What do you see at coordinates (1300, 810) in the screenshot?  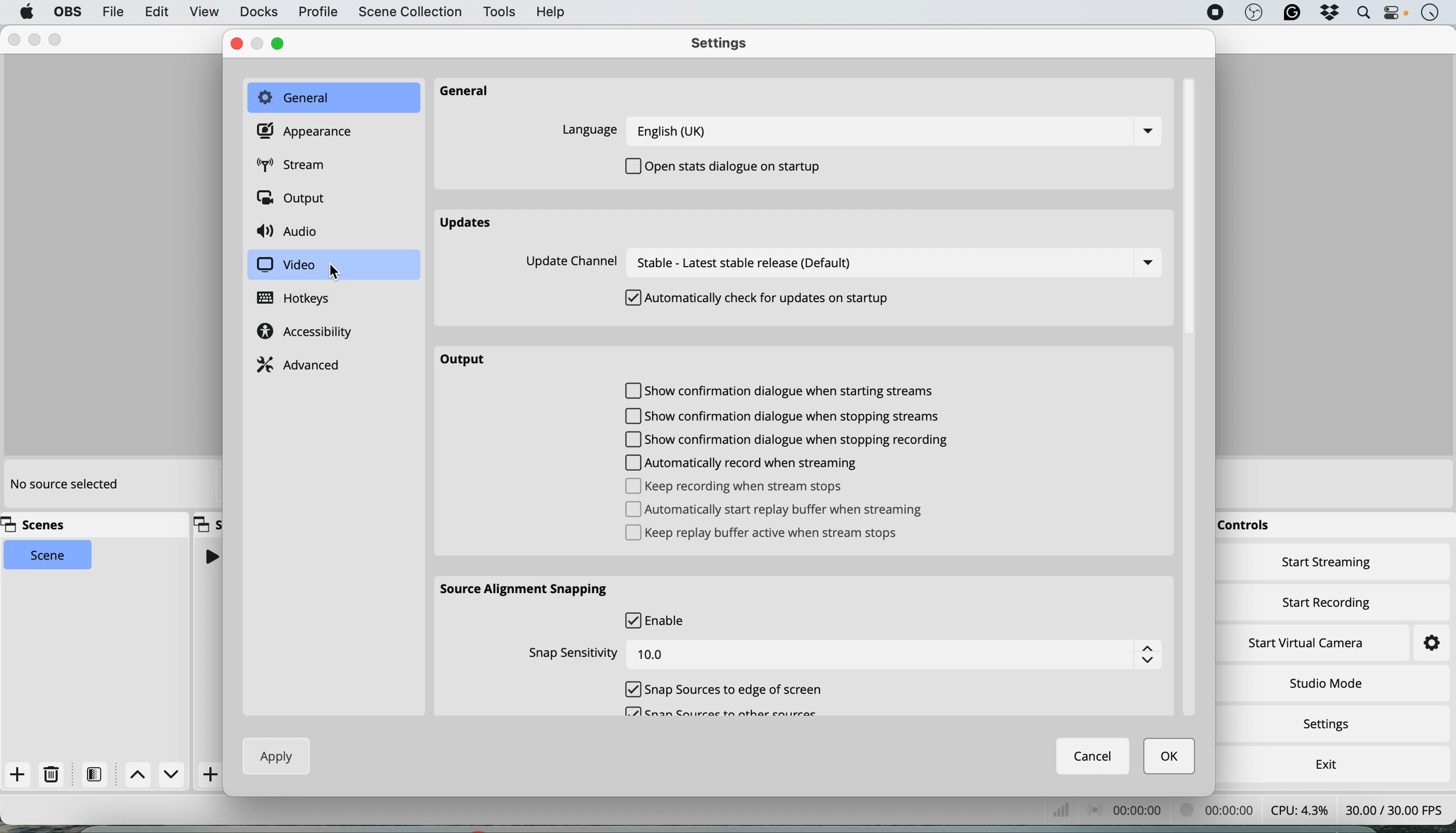 I see `cpu usage` at bounding box center [1300, 810].